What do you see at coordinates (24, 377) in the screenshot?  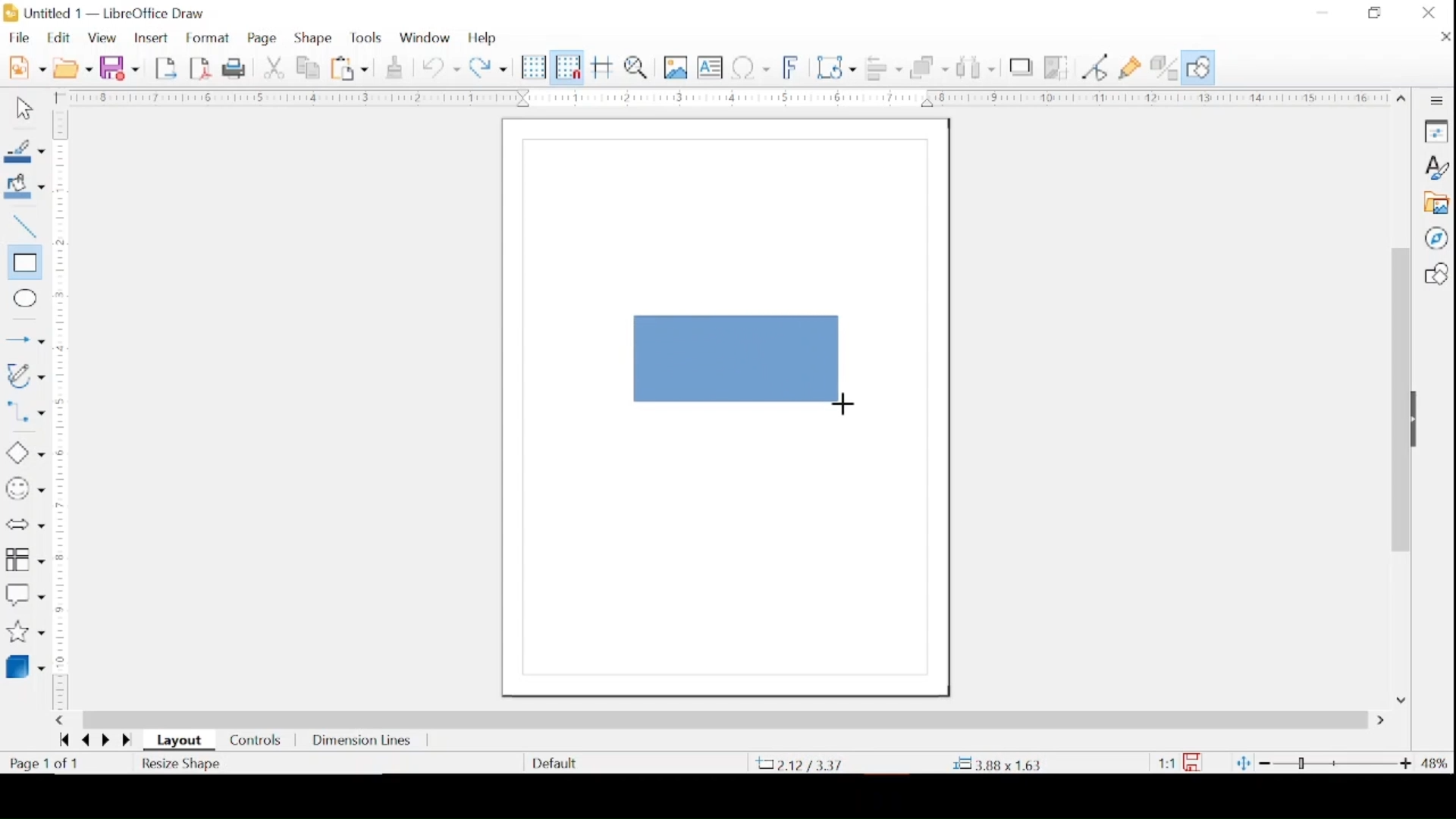 I see `insert curves and polygons` at bounding box center [24, 377].